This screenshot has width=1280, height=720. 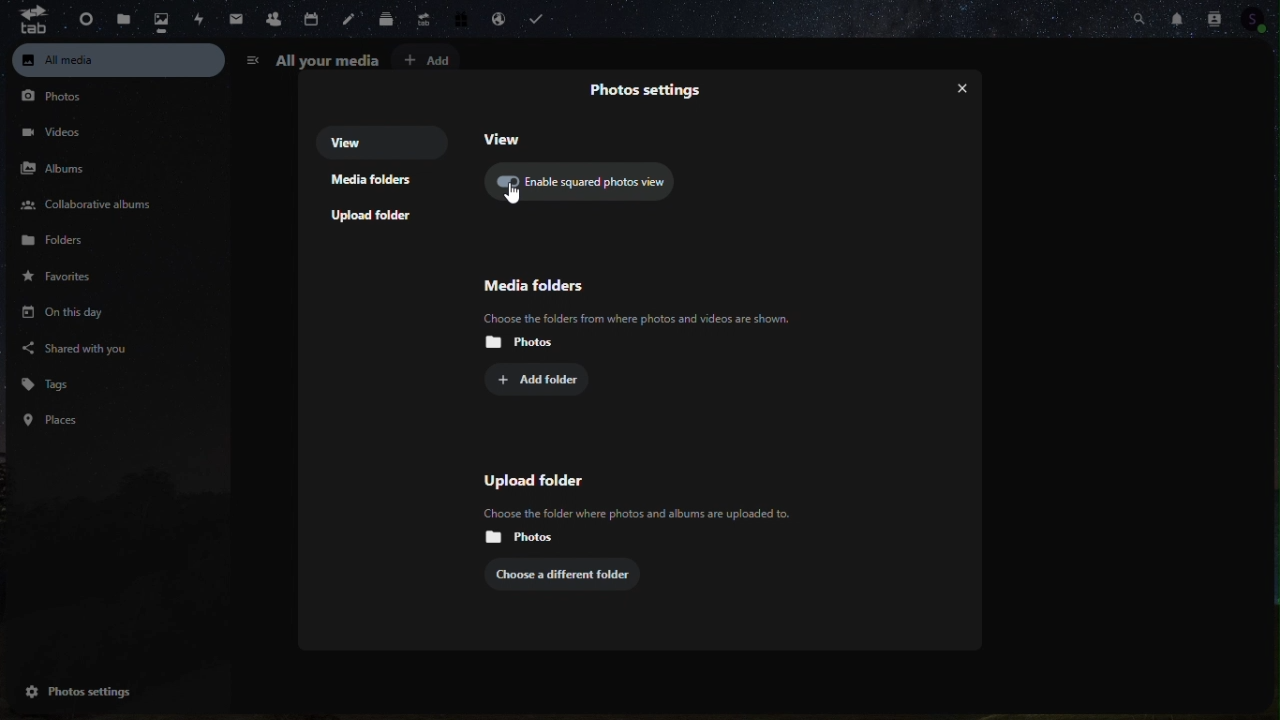 What do you see at coordinates (312, 60) in the screenshot?
I see `All your media` at bounding box center [312, 60].